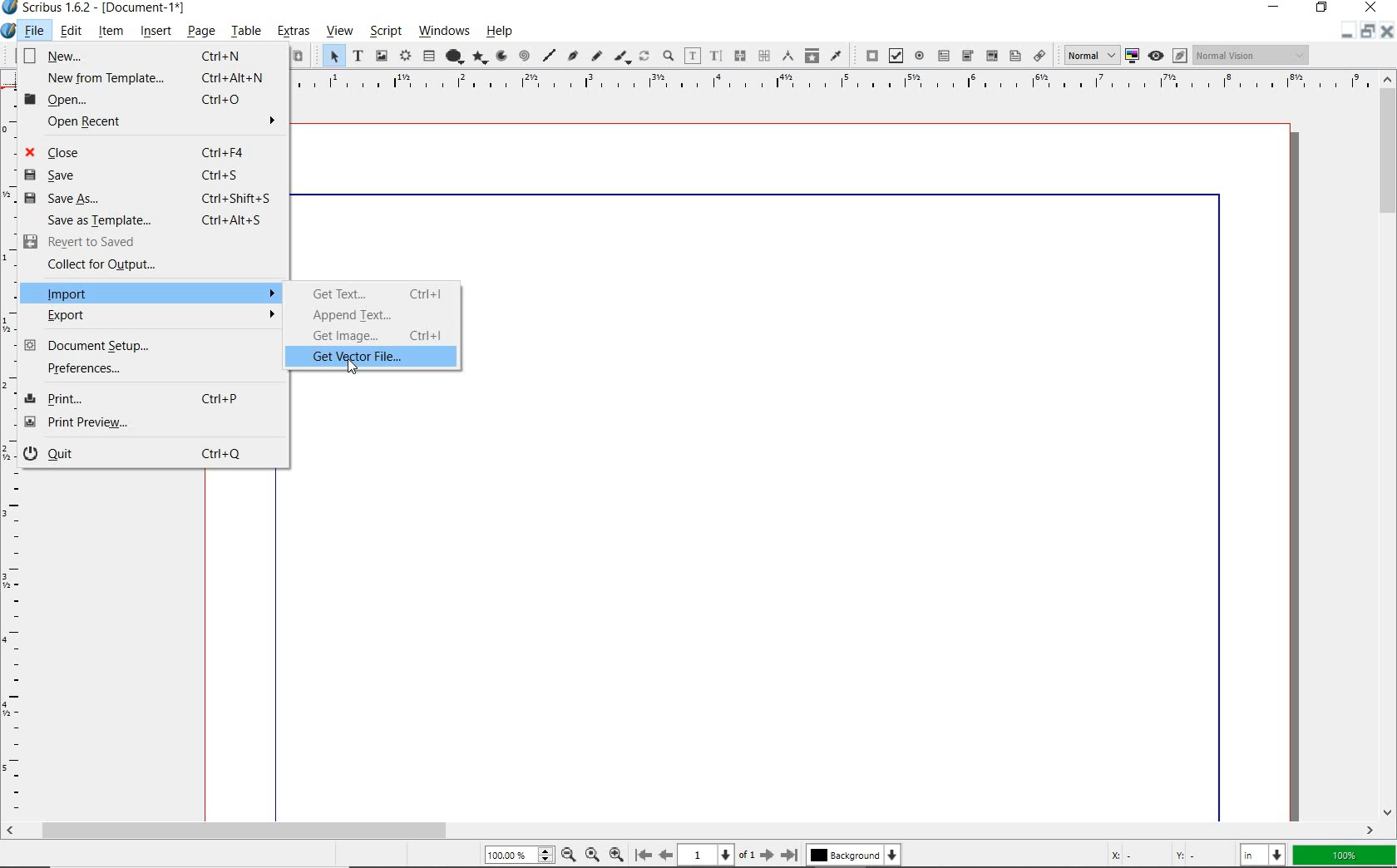 The height and width of the screenshot is (868, 1397). Describe the element at coordinates (896, 56) in the screenshot. I see `pdf check box` at that location.